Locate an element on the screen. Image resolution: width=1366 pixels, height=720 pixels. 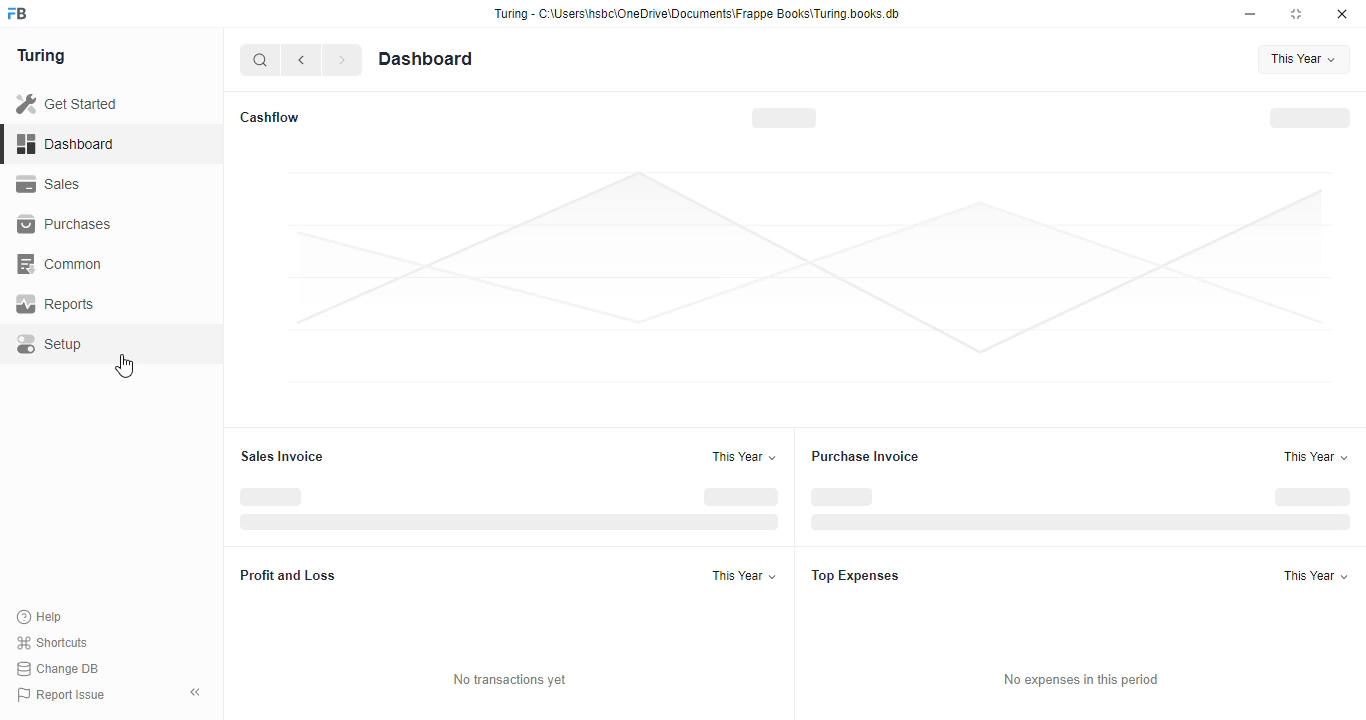
top expenses is located at coordinates (855, 576).